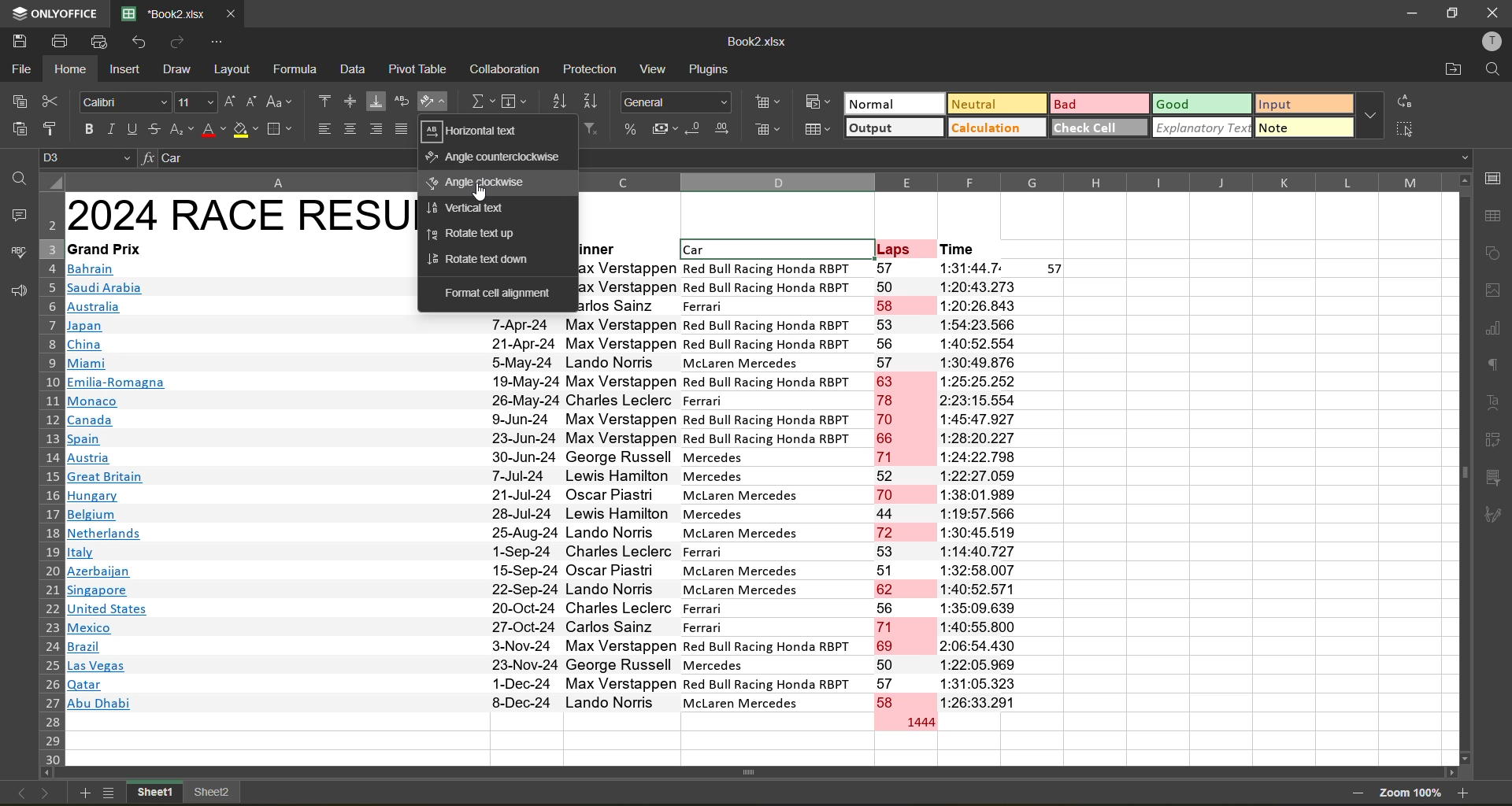 The height and width of the screenshot is (806, 1512). What do you see at coordinates (1201, 104) in the screenshot?
I see `good` at bounding box center [1201, 104].